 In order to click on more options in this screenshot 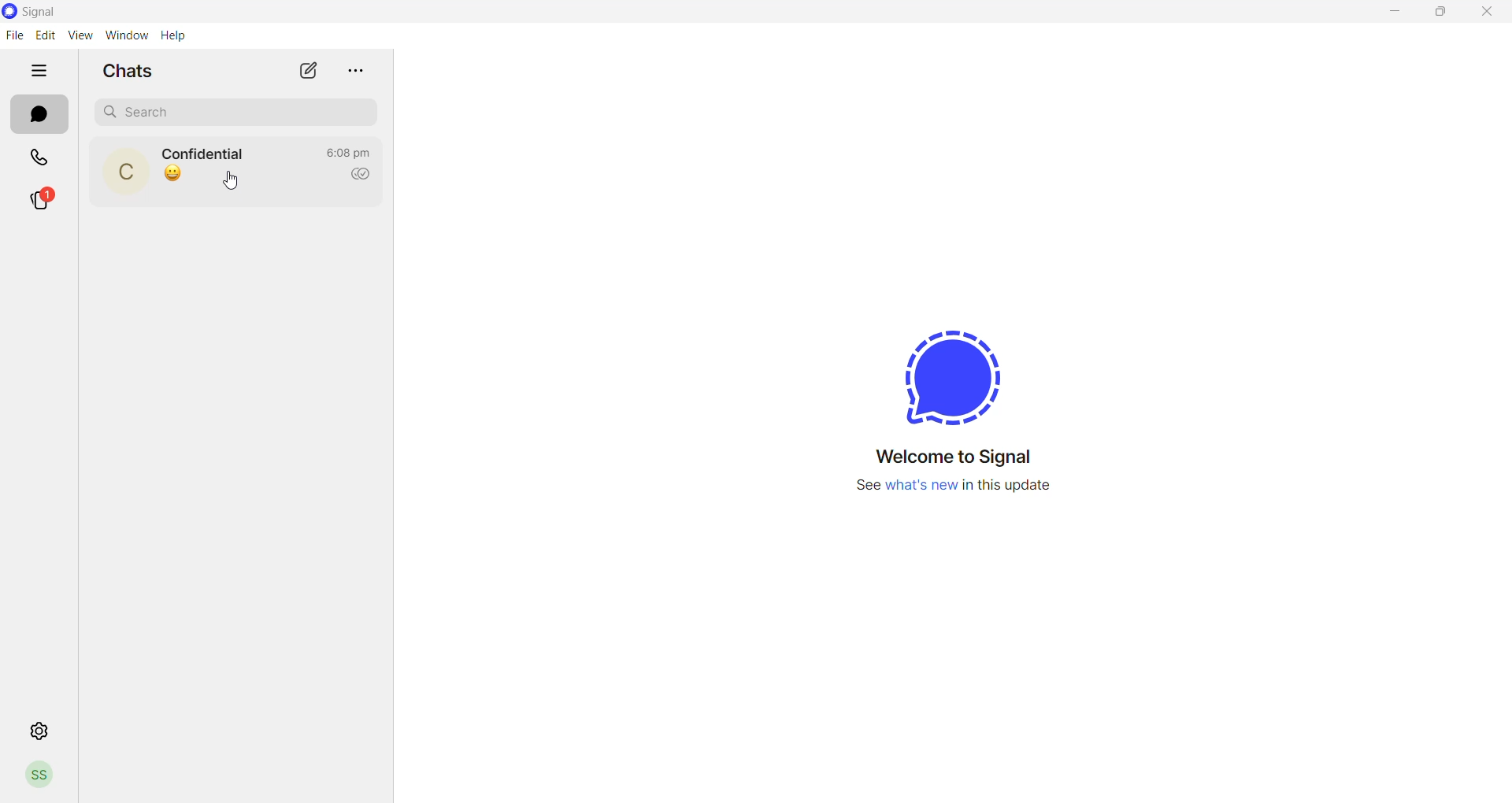, I will do `click(356, 72)`.